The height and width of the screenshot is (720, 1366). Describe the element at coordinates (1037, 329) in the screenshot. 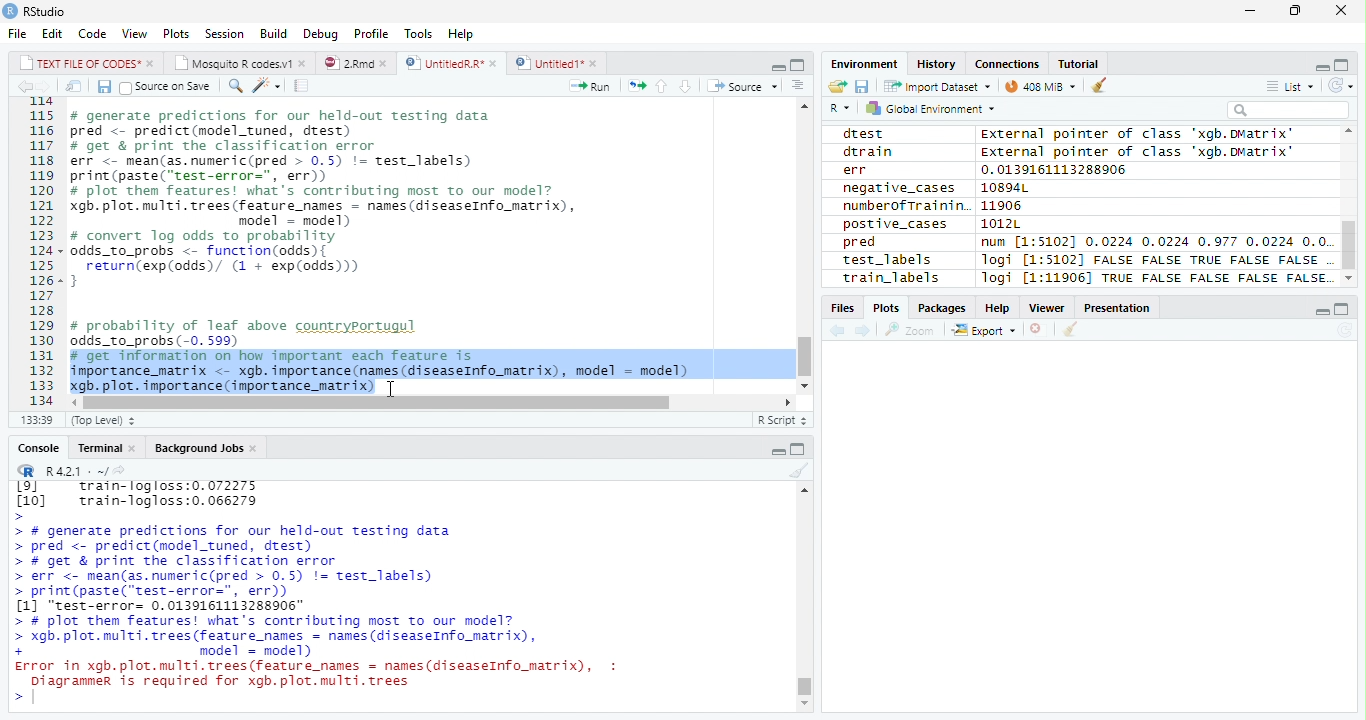

I see `Delete` at that location.